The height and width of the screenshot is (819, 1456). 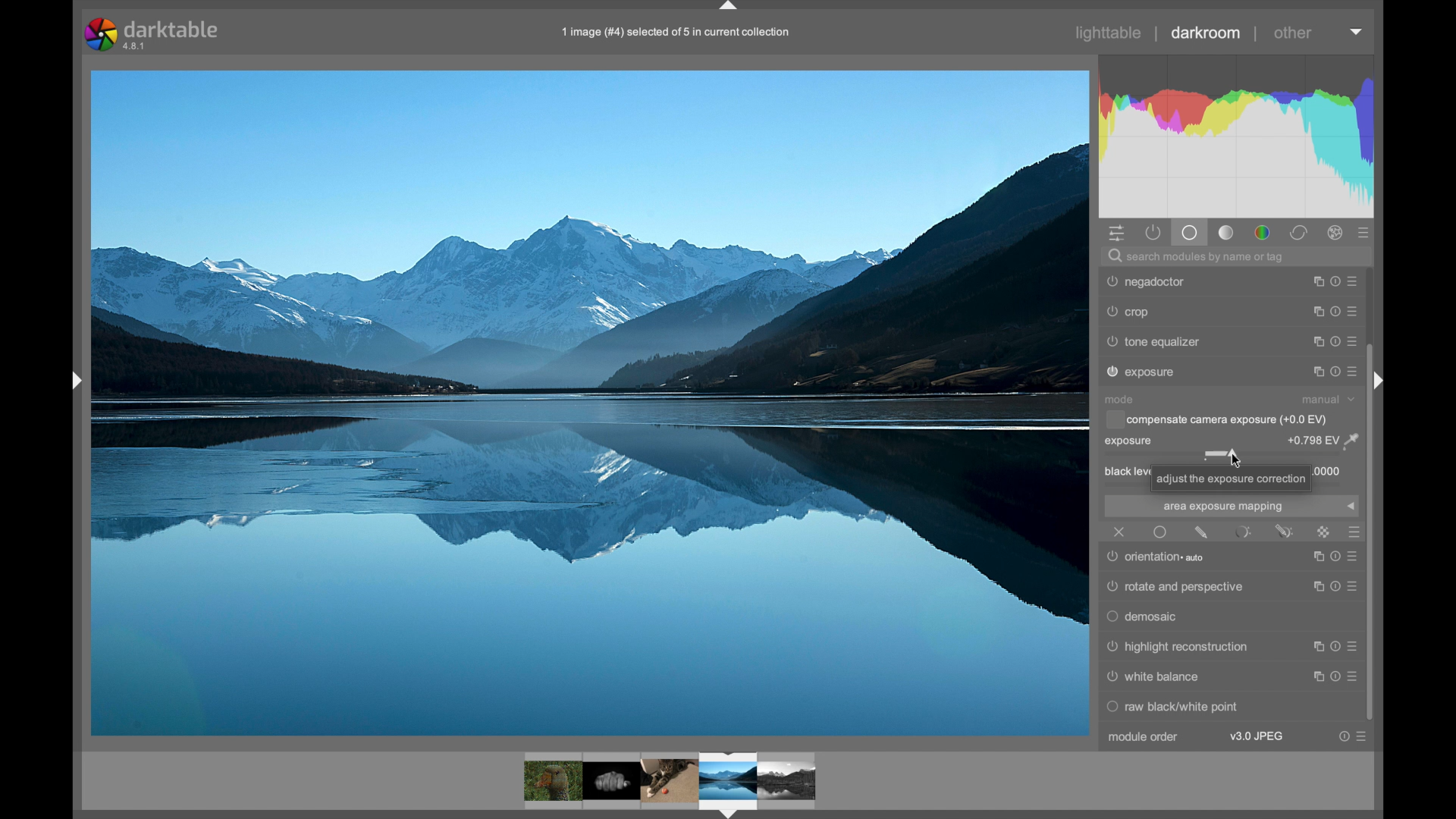 I want to click on 0000, so click(x=1330, y=471).